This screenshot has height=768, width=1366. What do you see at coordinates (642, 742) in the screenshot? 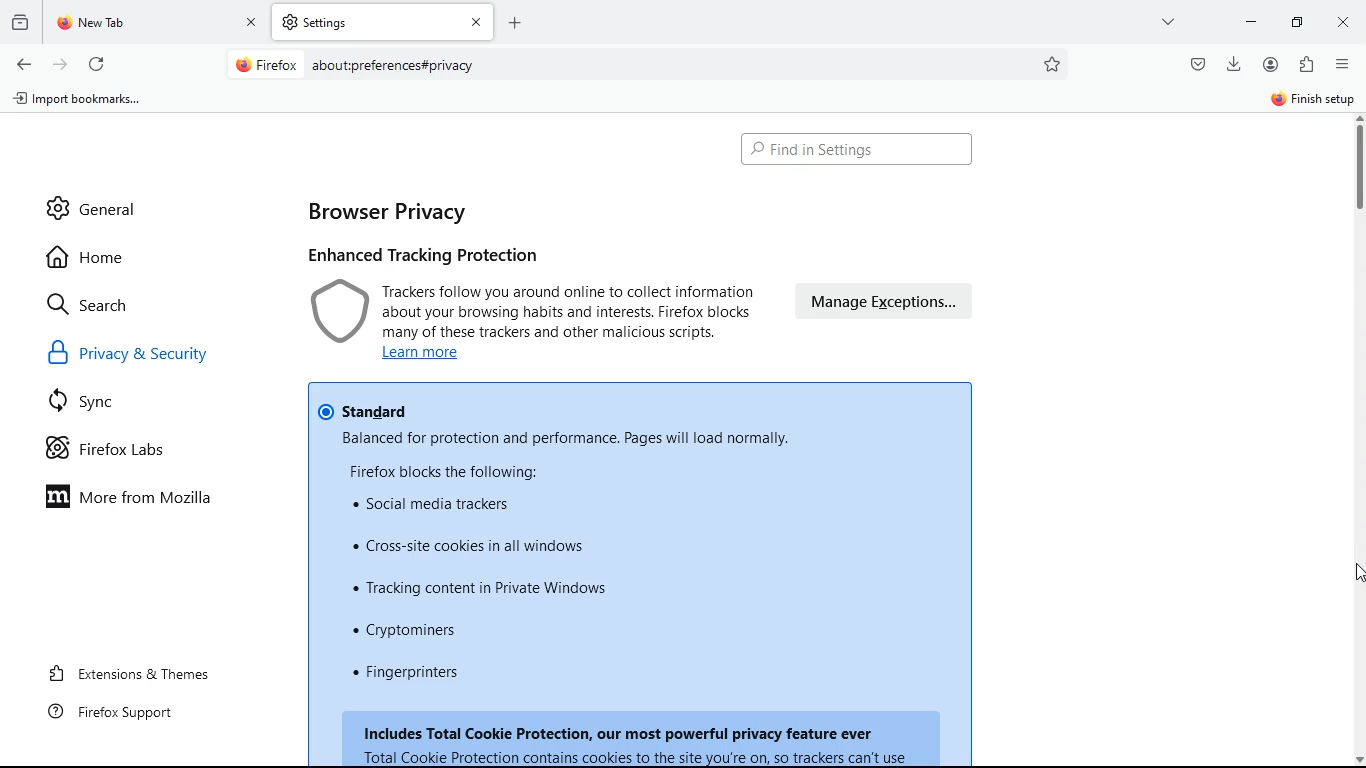
I see `| Includes Total Cookie Protection, our most powerful privacy feature ever` at bounding box center [642, 742].